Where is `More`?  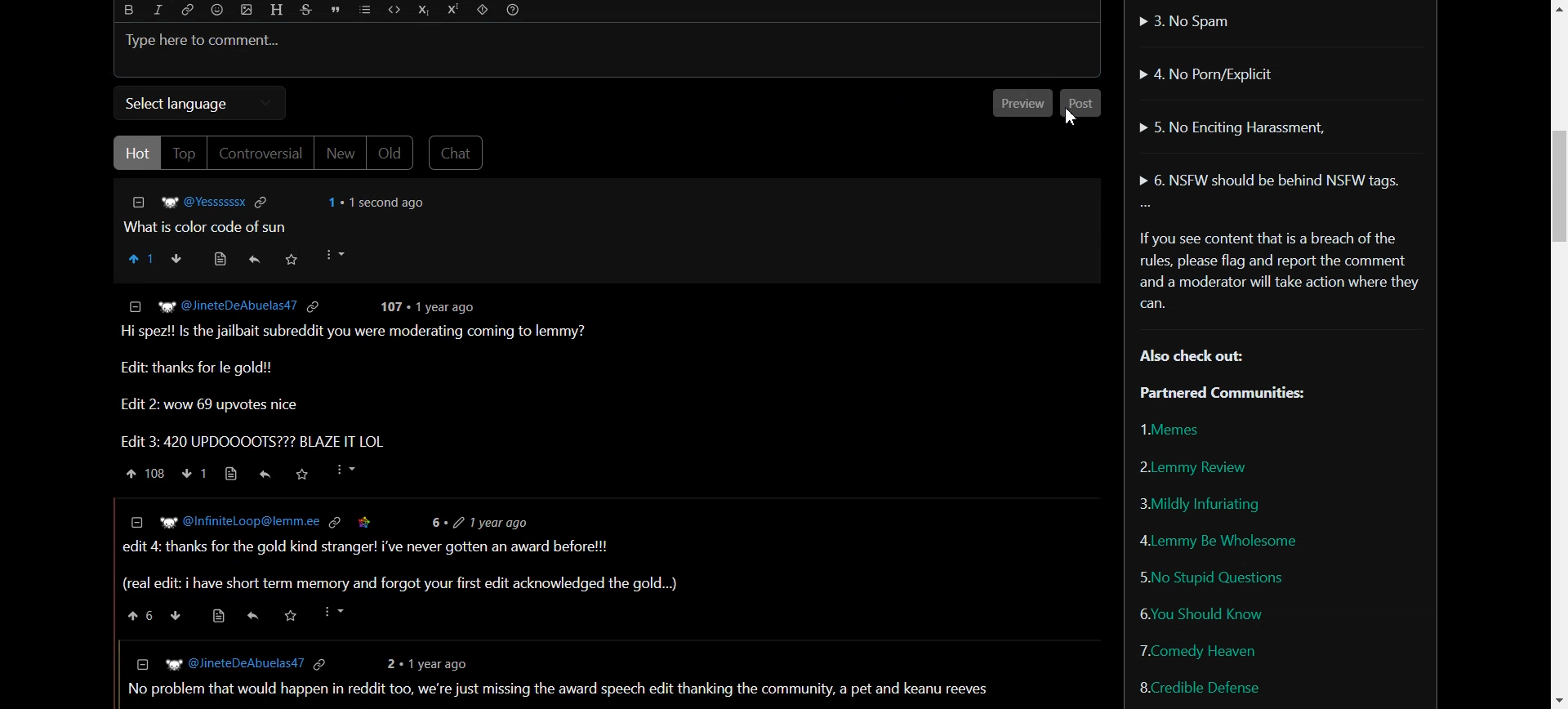 More is located at coordinates (1147, 206).